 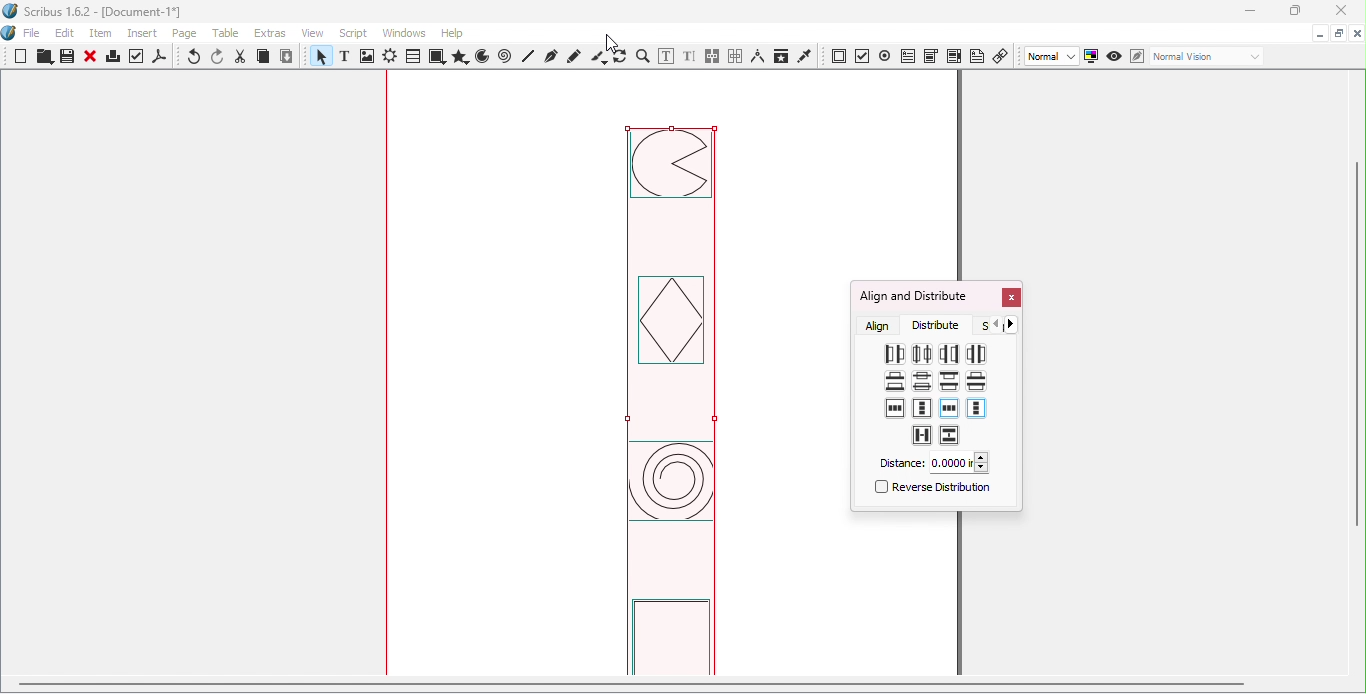 What do you see at coordinates (348, 58) in the screenshot?
I see `Text frame` at bounding box center [348, 58].